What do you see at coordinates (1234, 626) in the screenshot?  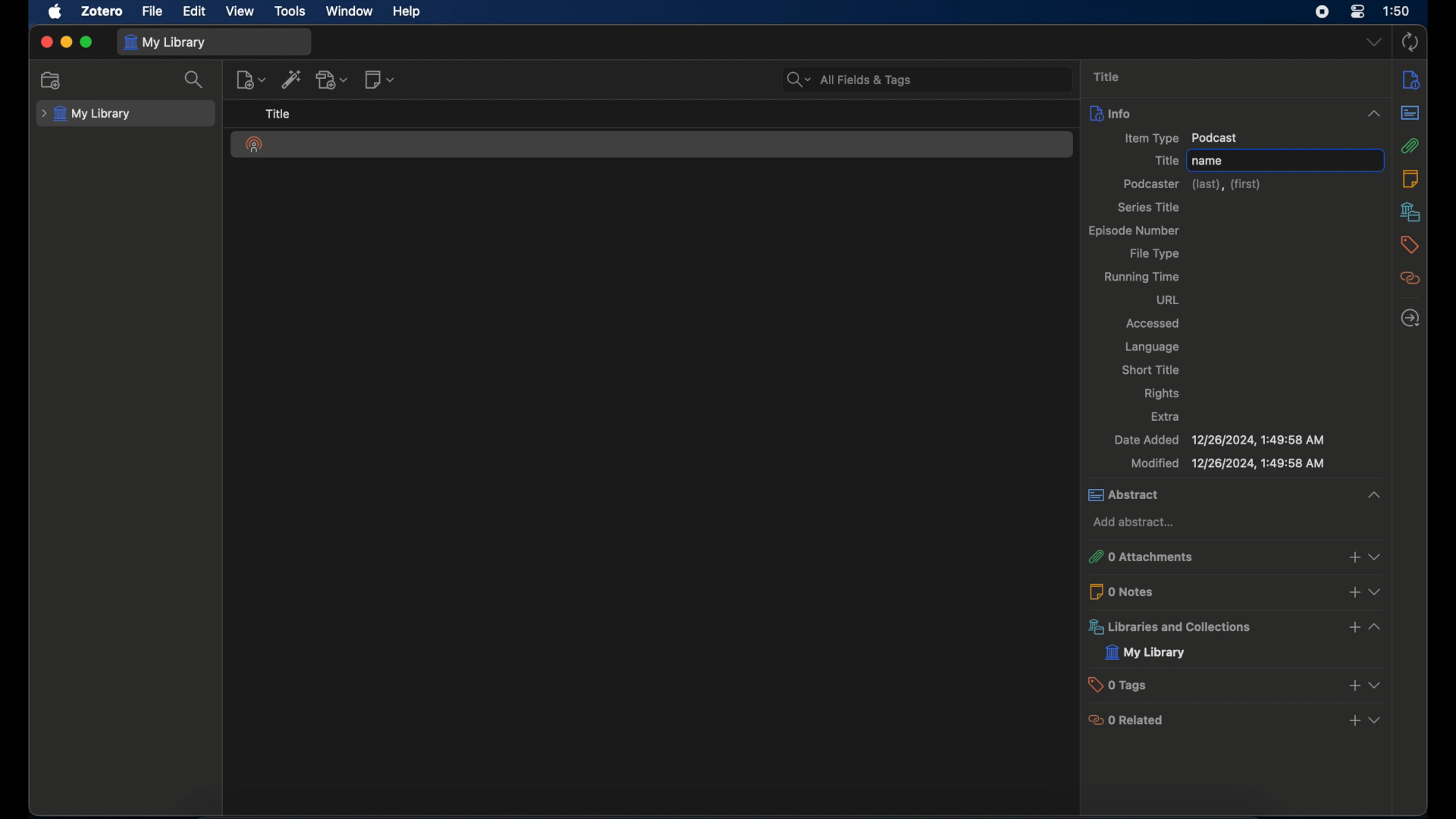 I see `libraries` at bounding box center [1234, 626].